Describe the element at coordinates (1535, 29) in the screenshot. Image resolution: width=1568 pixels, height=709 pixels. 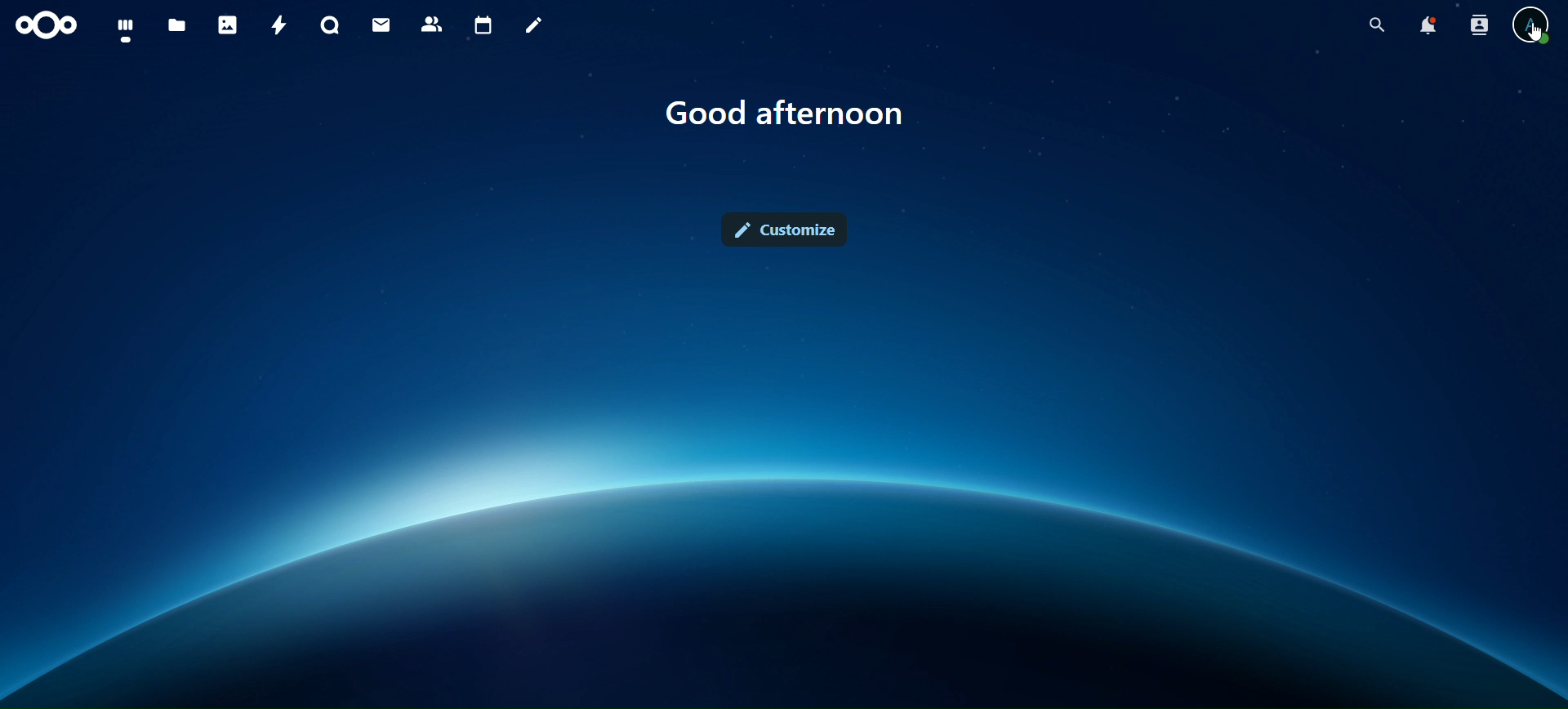
I see `view profile` at that location.